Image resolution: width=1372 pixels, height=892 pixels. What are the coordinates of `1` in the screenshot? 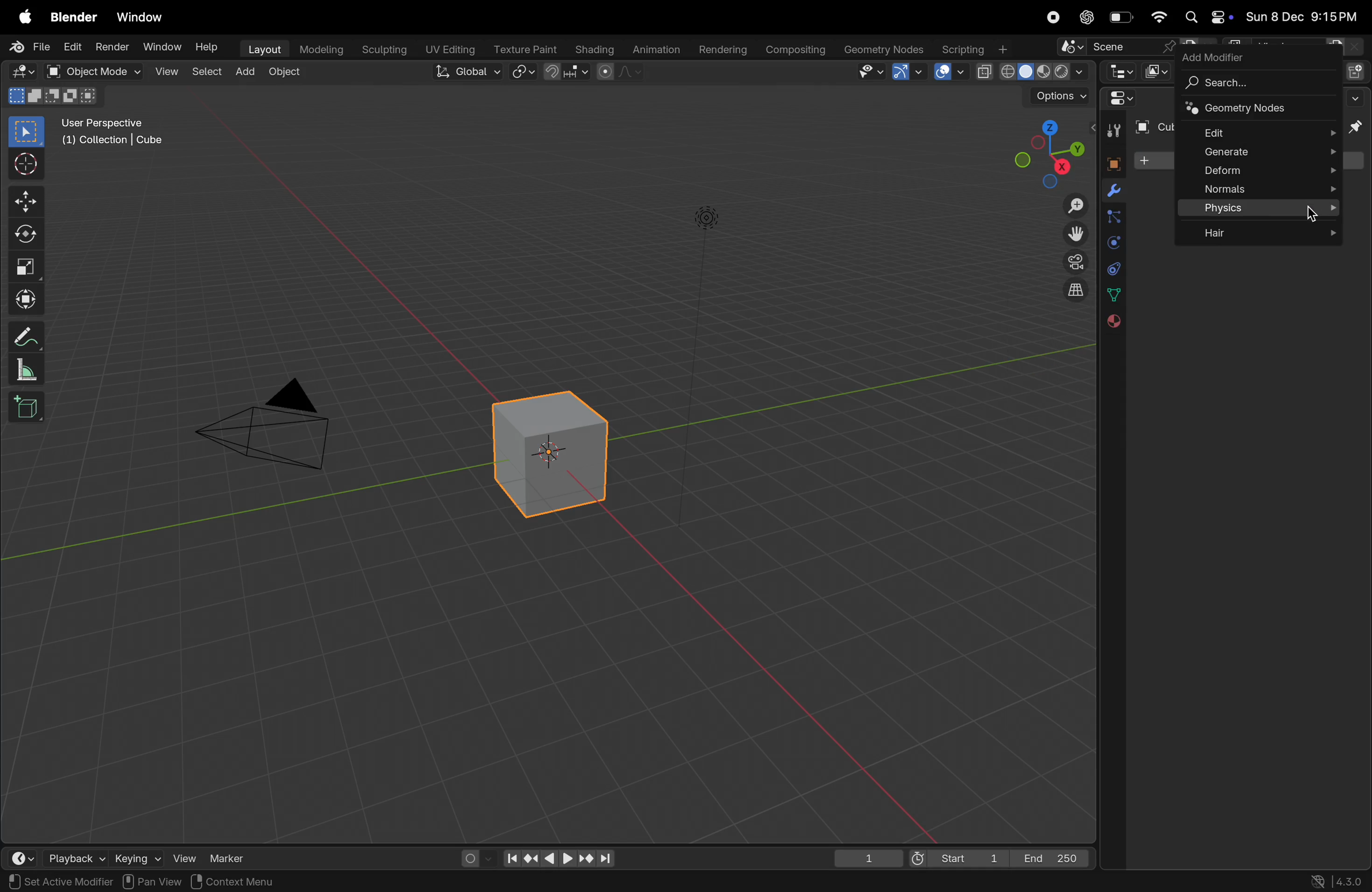 It's located at (869, 858).